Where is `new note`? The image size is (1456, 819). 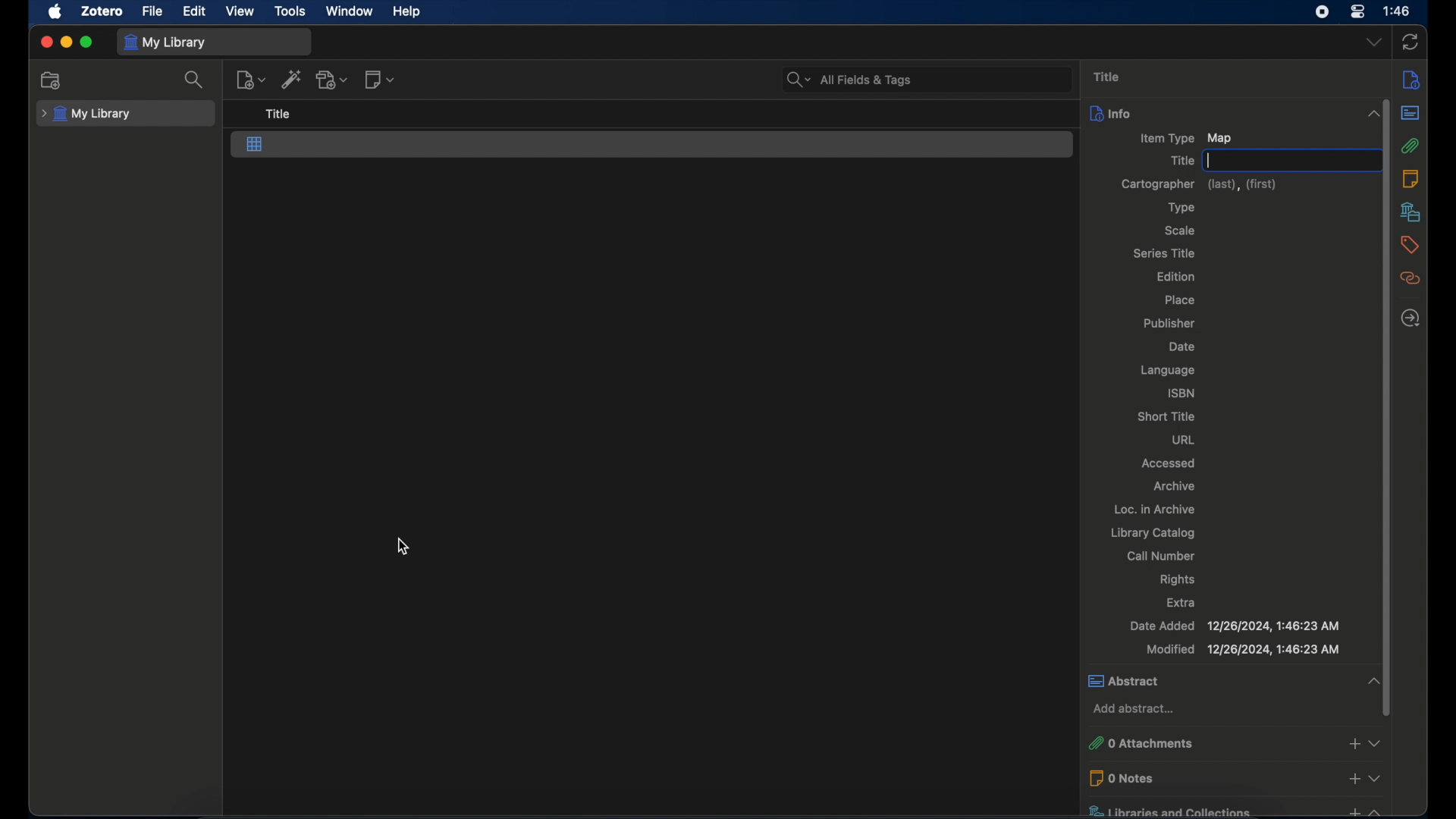
new note is located at coordinates (379, 79).